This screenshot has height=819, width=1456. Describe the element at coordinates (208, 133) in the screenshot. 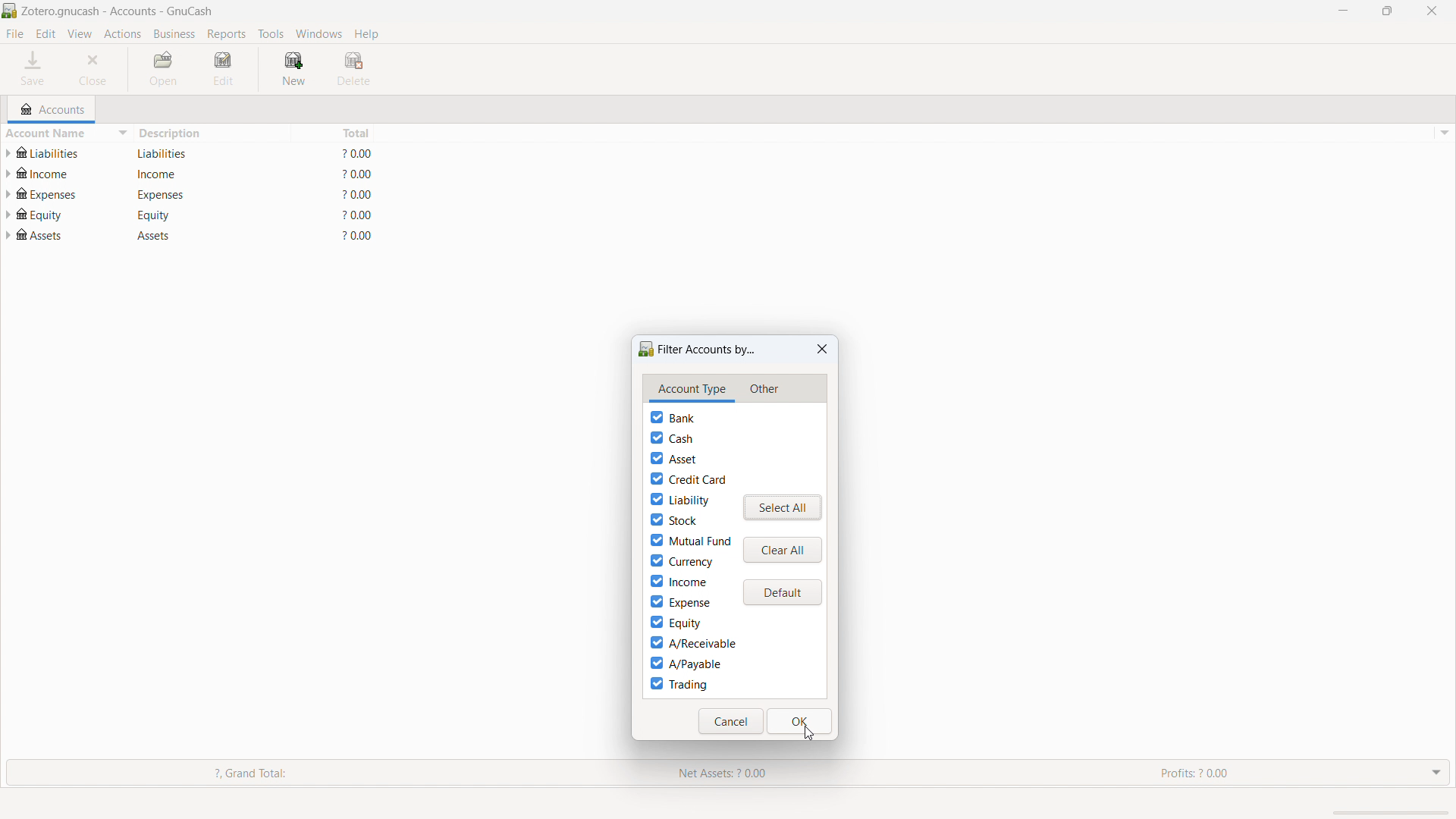

I see `description` at that location.